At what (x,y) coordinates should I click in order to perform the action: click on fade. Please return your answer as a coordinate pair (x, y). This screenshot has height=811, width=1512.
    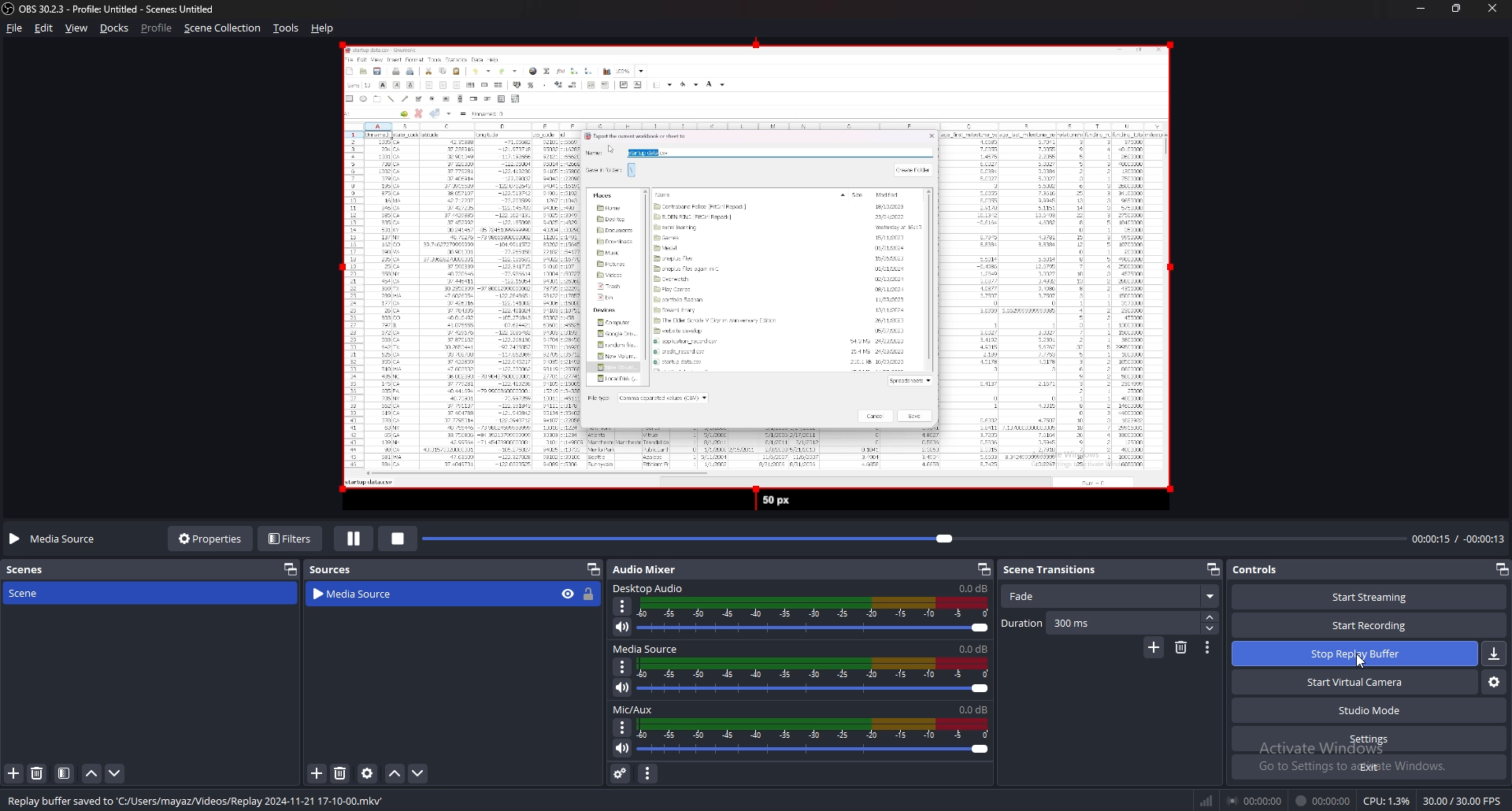
    Looking at the image, I should click on (1110, 597).